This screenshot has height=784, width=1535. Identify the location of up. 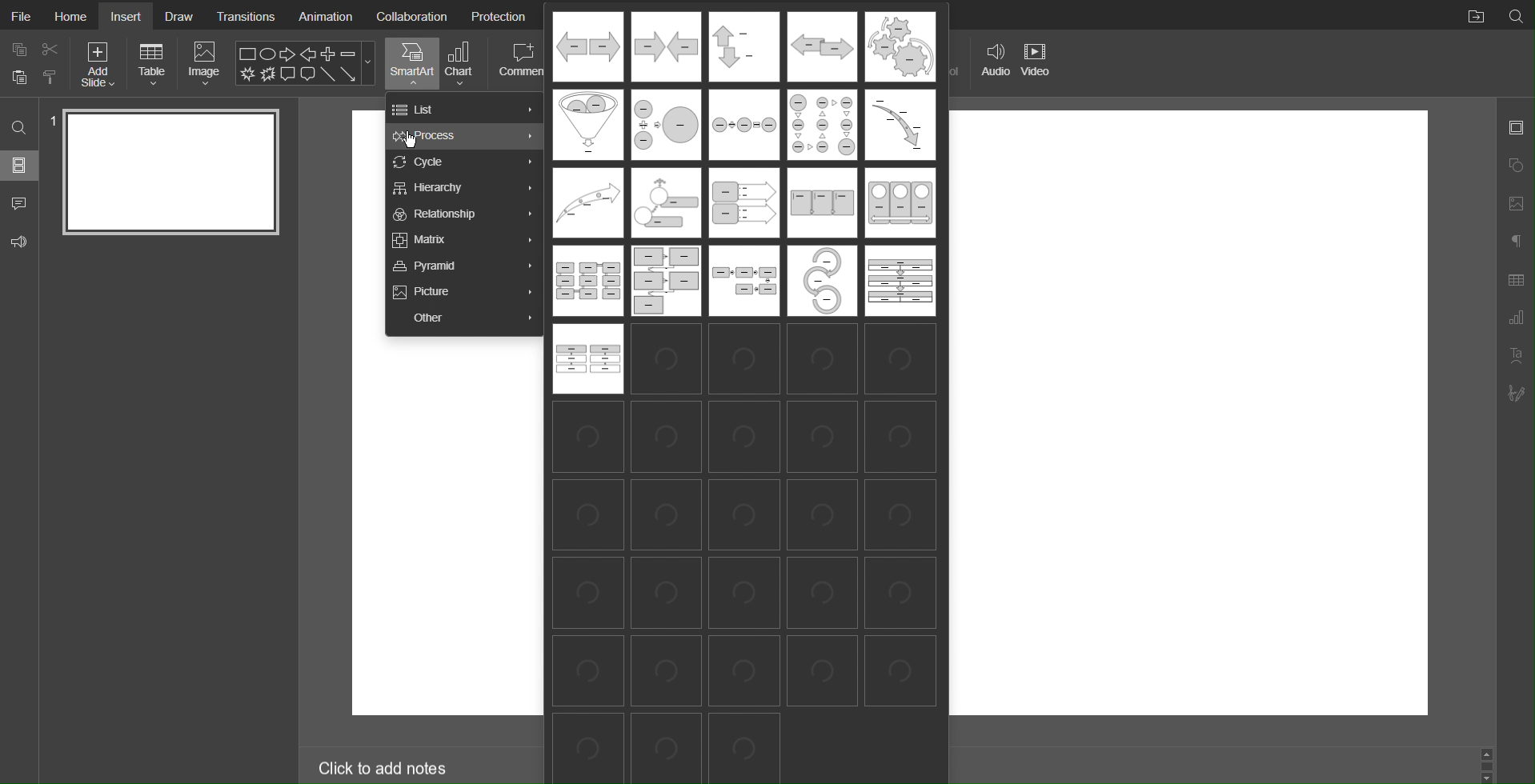
(1490, 755).